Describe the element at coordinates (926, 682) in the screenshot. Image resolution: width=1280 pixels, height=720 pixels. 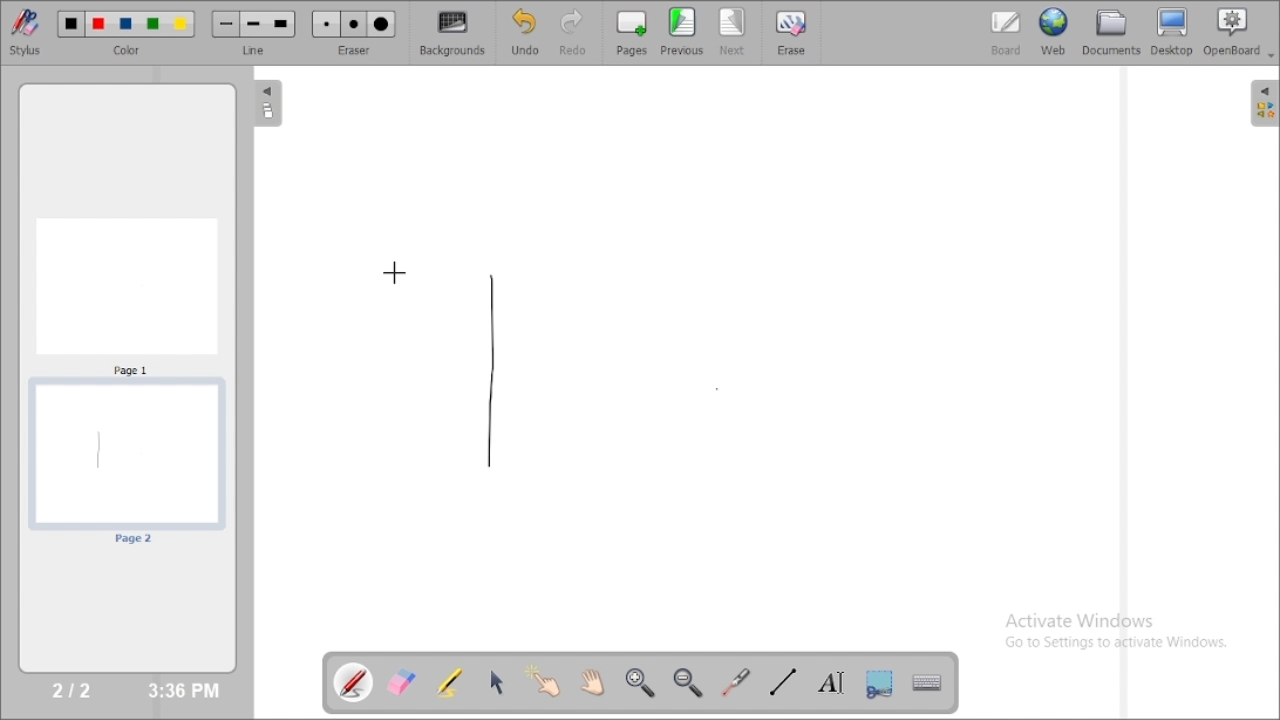
I see `display virtual keyboard` at that location.